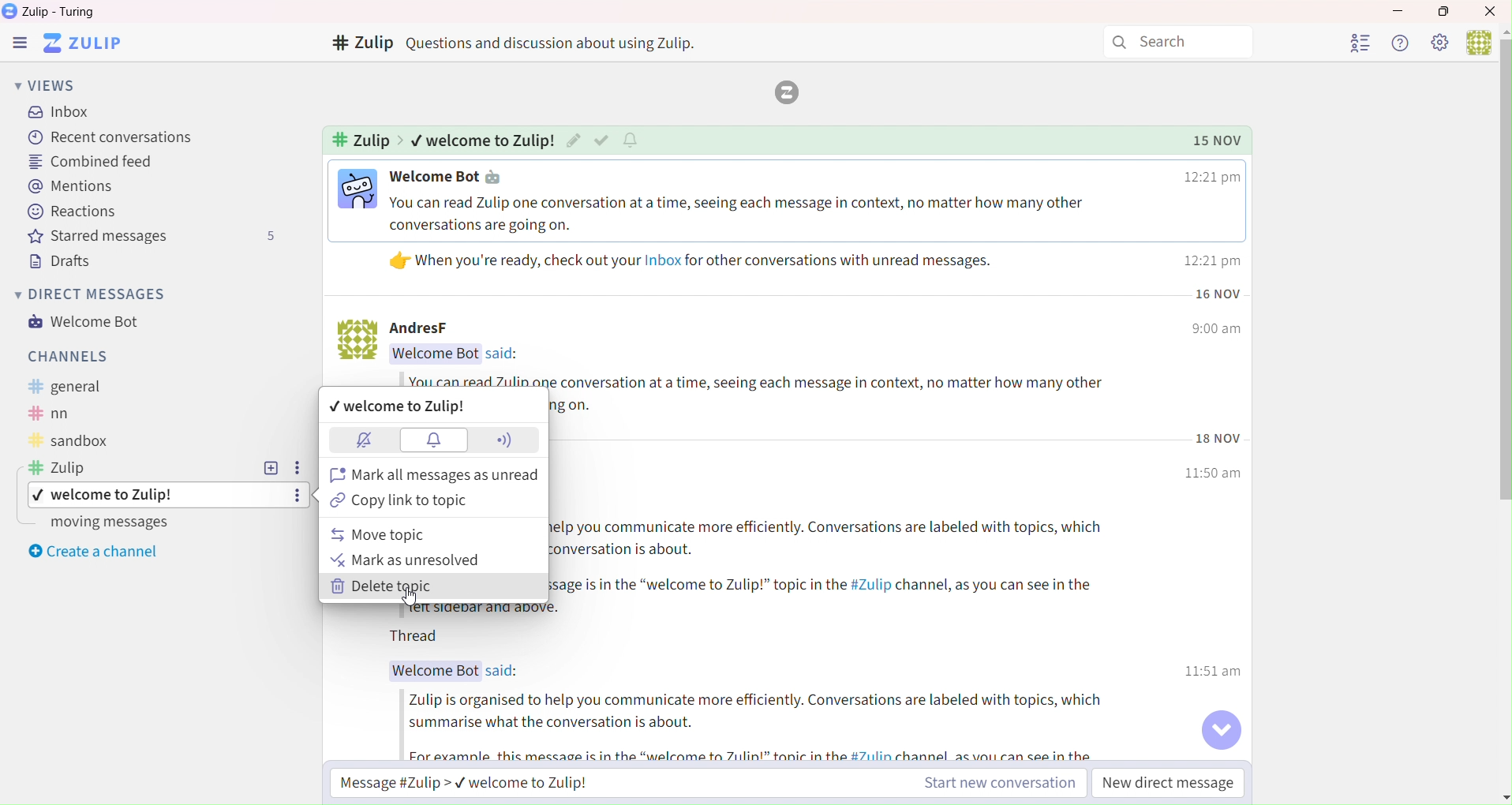 This screenshot has width=1512, height=805. What do you see at coordinates (1440, 45) in the screenshot?
I see `Settings` at bounding box center [1440, 45].